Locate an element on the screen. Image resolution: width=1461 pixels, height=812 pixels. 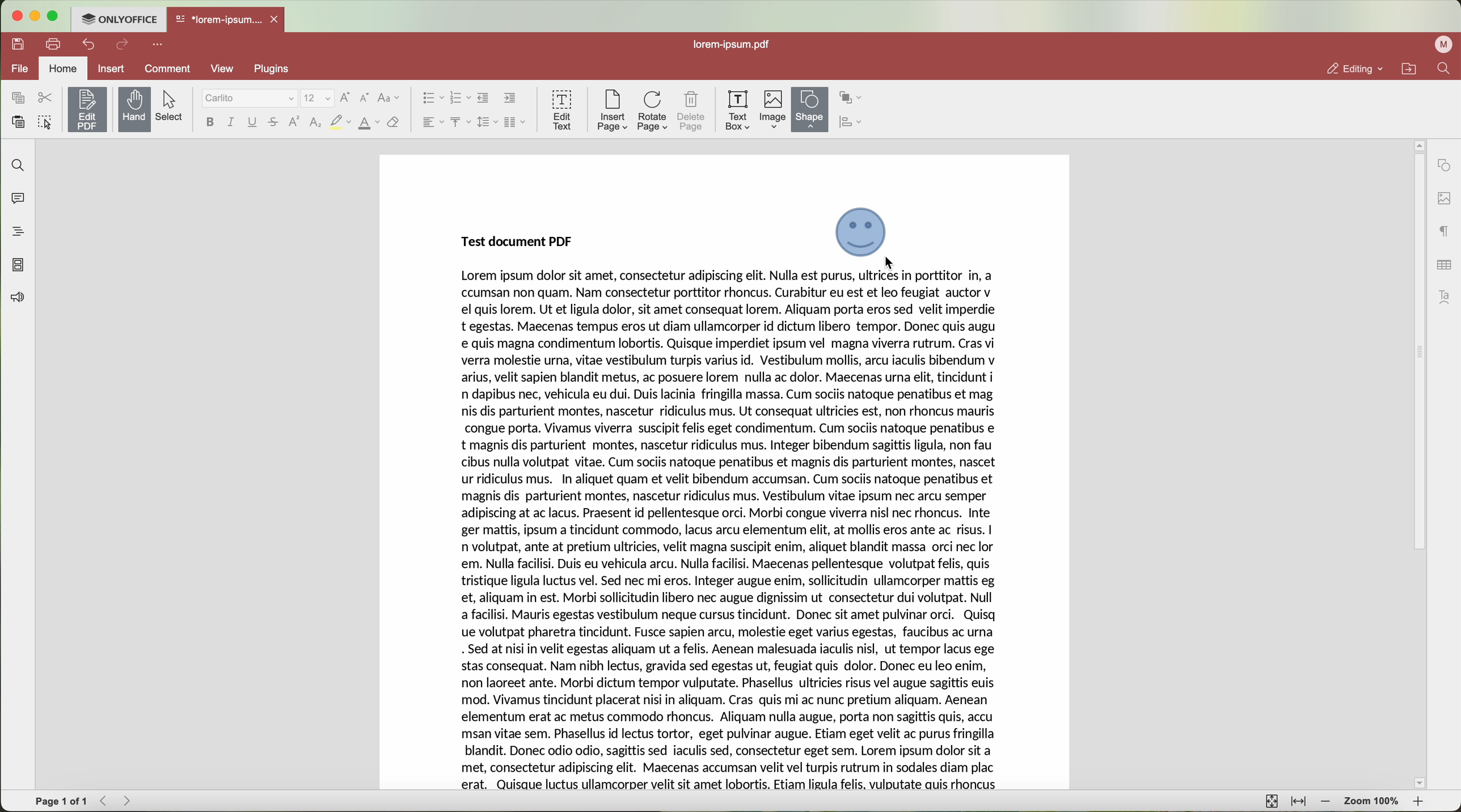
select all is located at coordinates (47, 124).